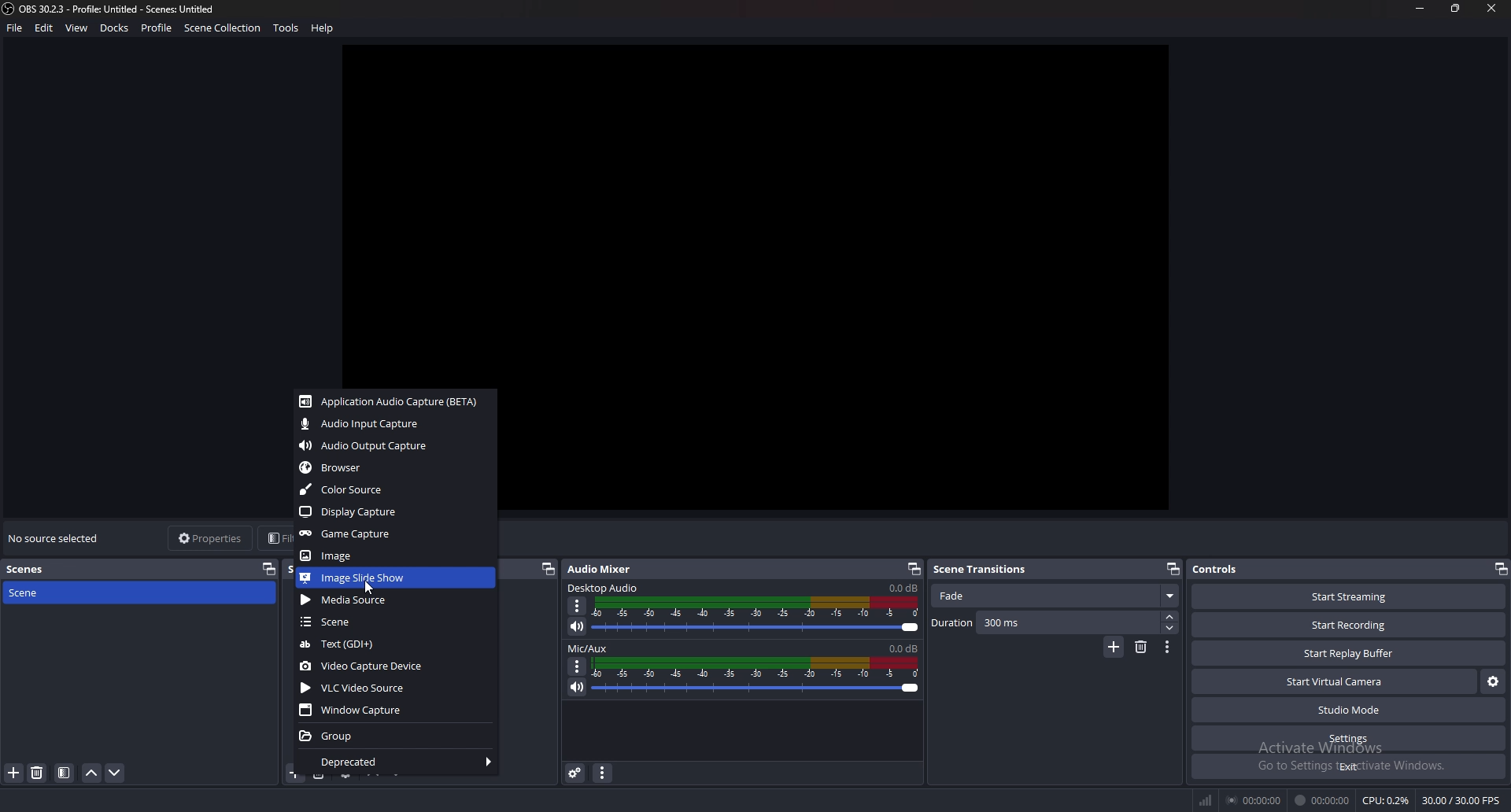  Describe the element at coordinates (1351, 624) in the screenshot. I see `start recording` at that location.